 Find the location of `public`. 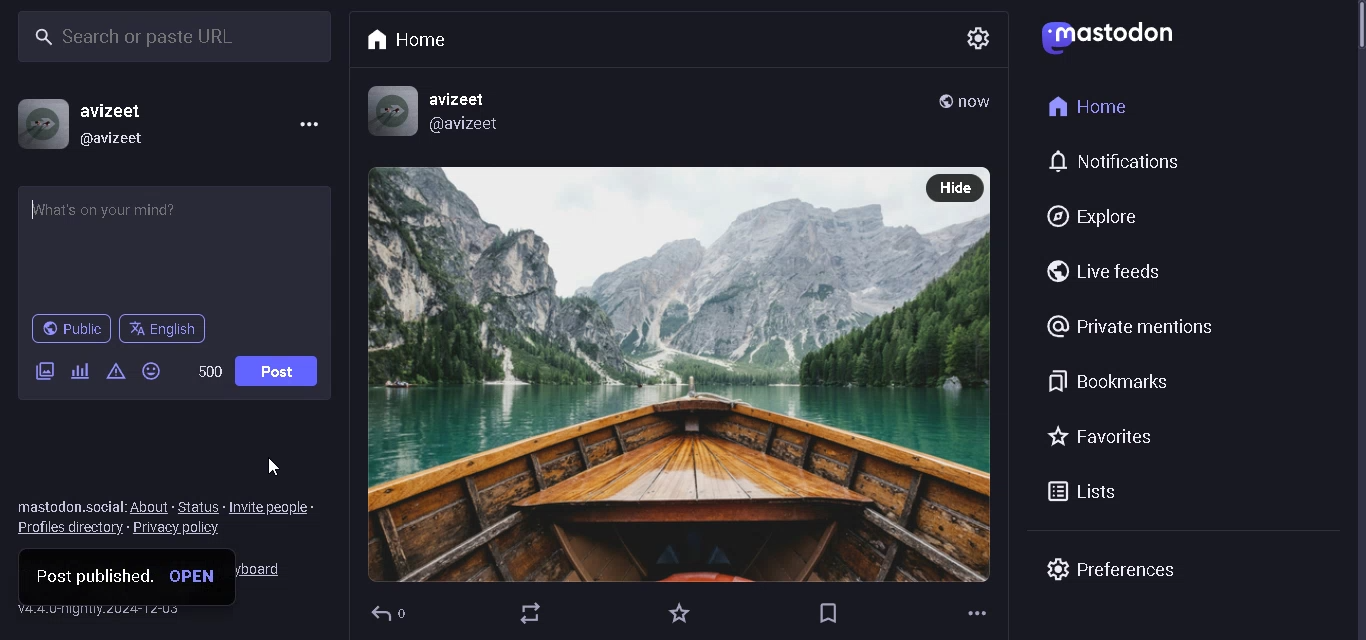

public is located at coordinates (69, 327).